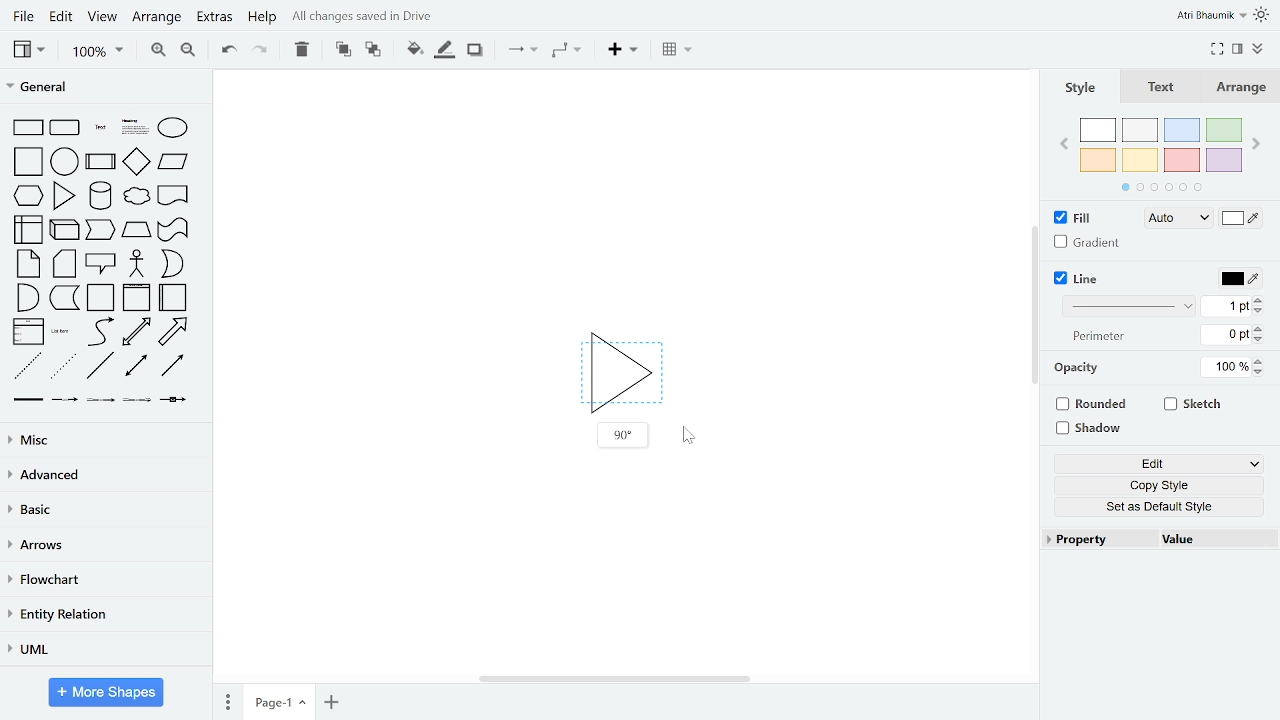  What do you see at coordinates (226, 51) in the screenshot?
I see `undo` at bounding box center [226, 51].